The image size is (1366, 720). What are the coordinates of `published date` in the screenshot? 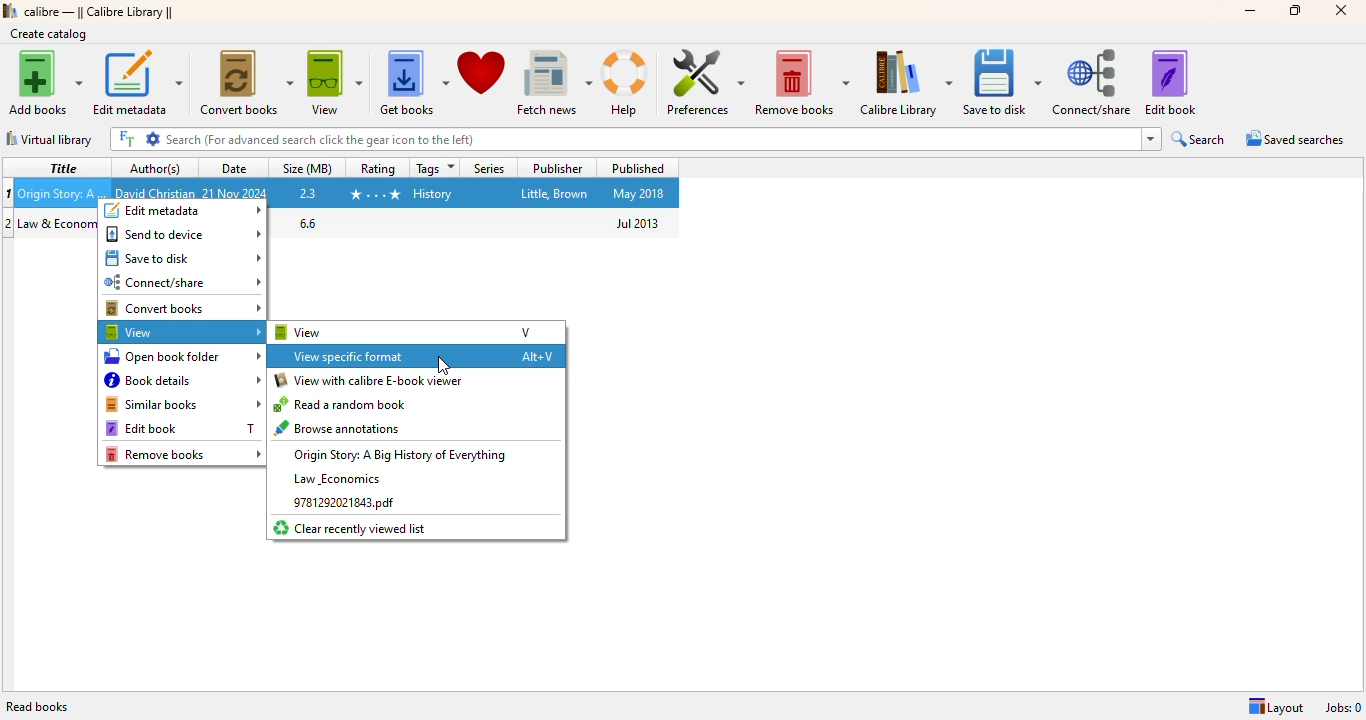 It's located at (638, 194).